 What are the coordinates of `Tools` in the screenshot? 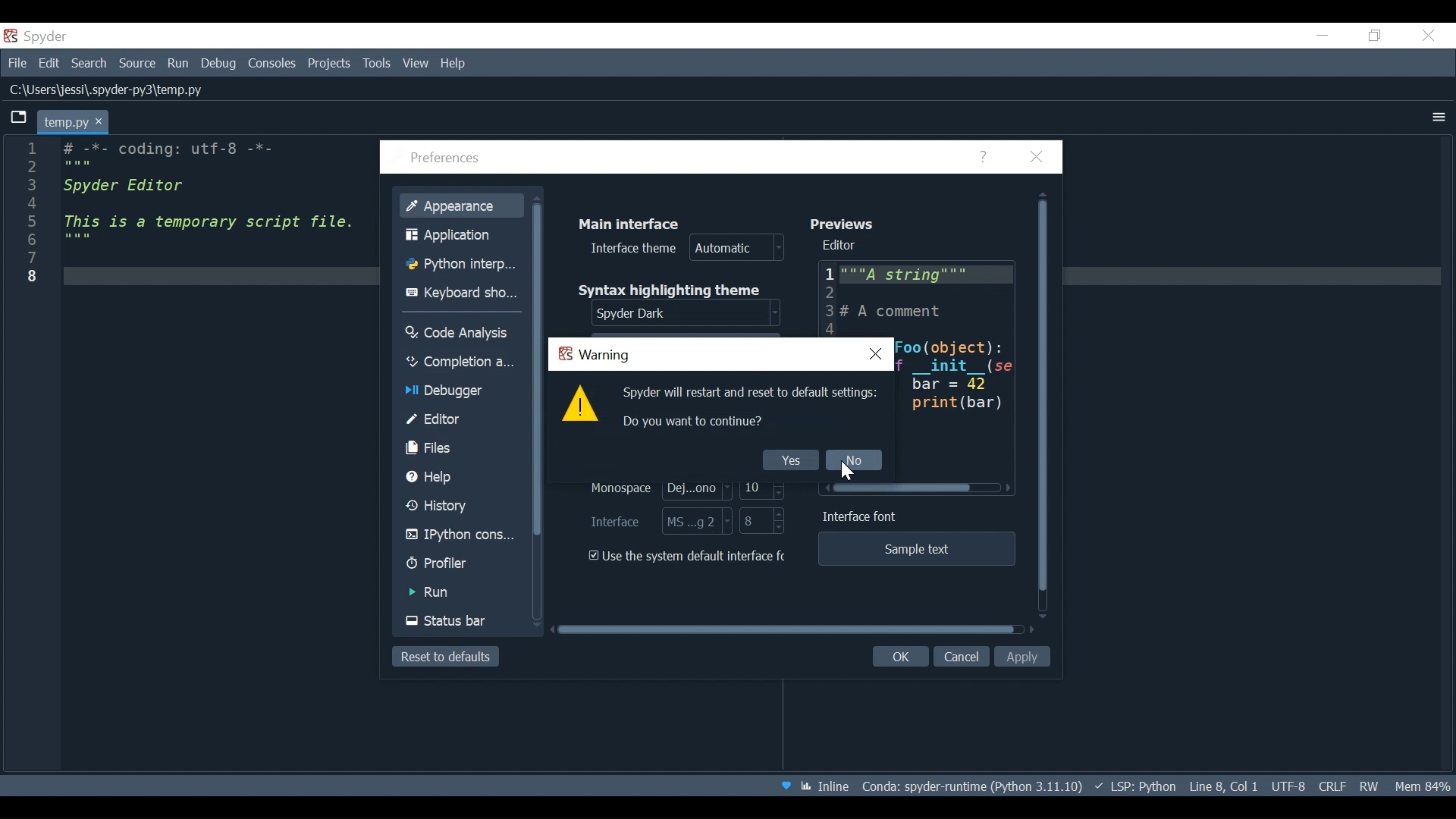 It's located at (376, 63).